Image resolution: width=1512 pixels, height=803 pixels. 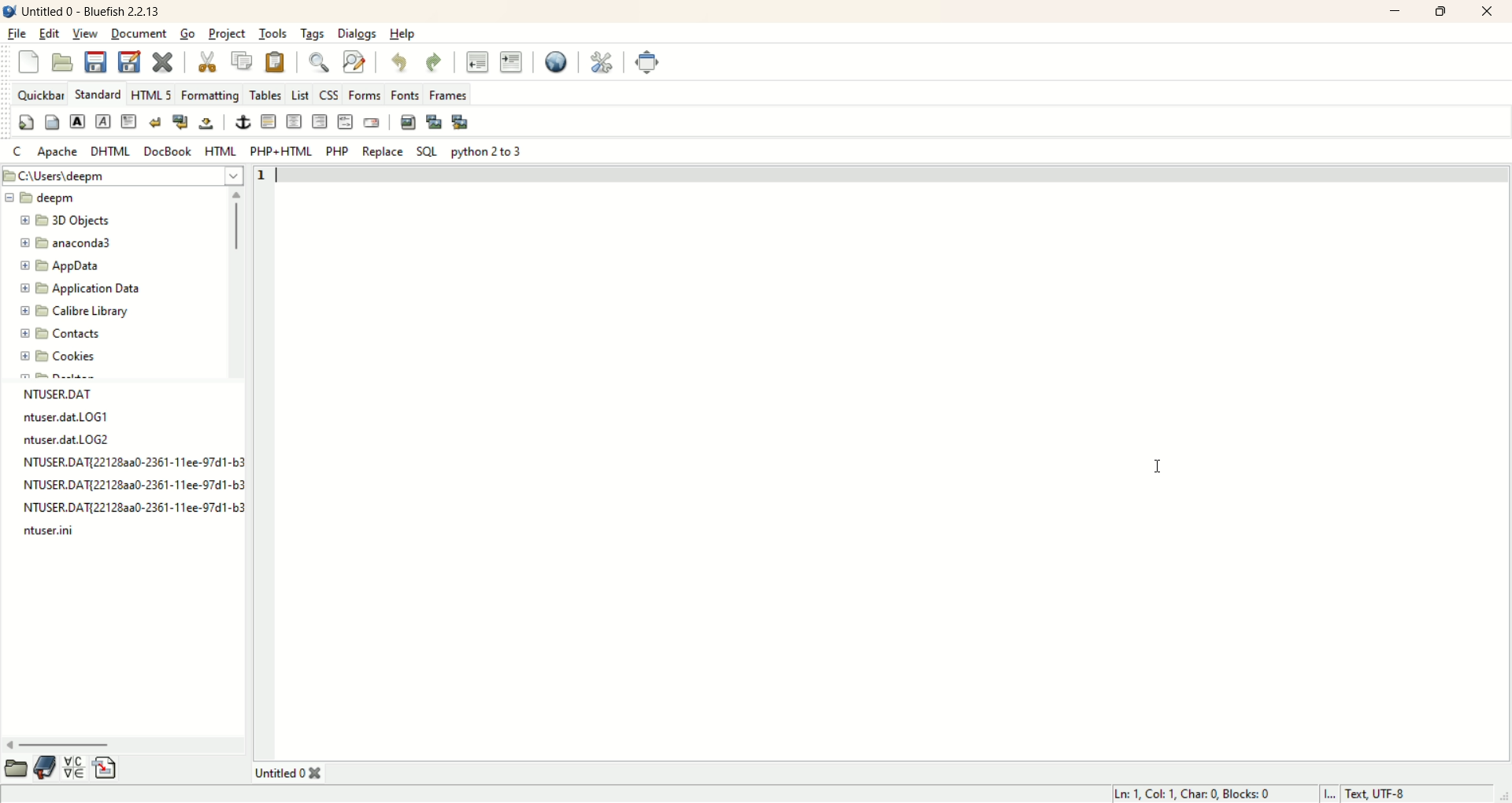 What do you see at coordinates (400, 64) in the screenshot?
I see `undo` at bounding box center [400, 64].